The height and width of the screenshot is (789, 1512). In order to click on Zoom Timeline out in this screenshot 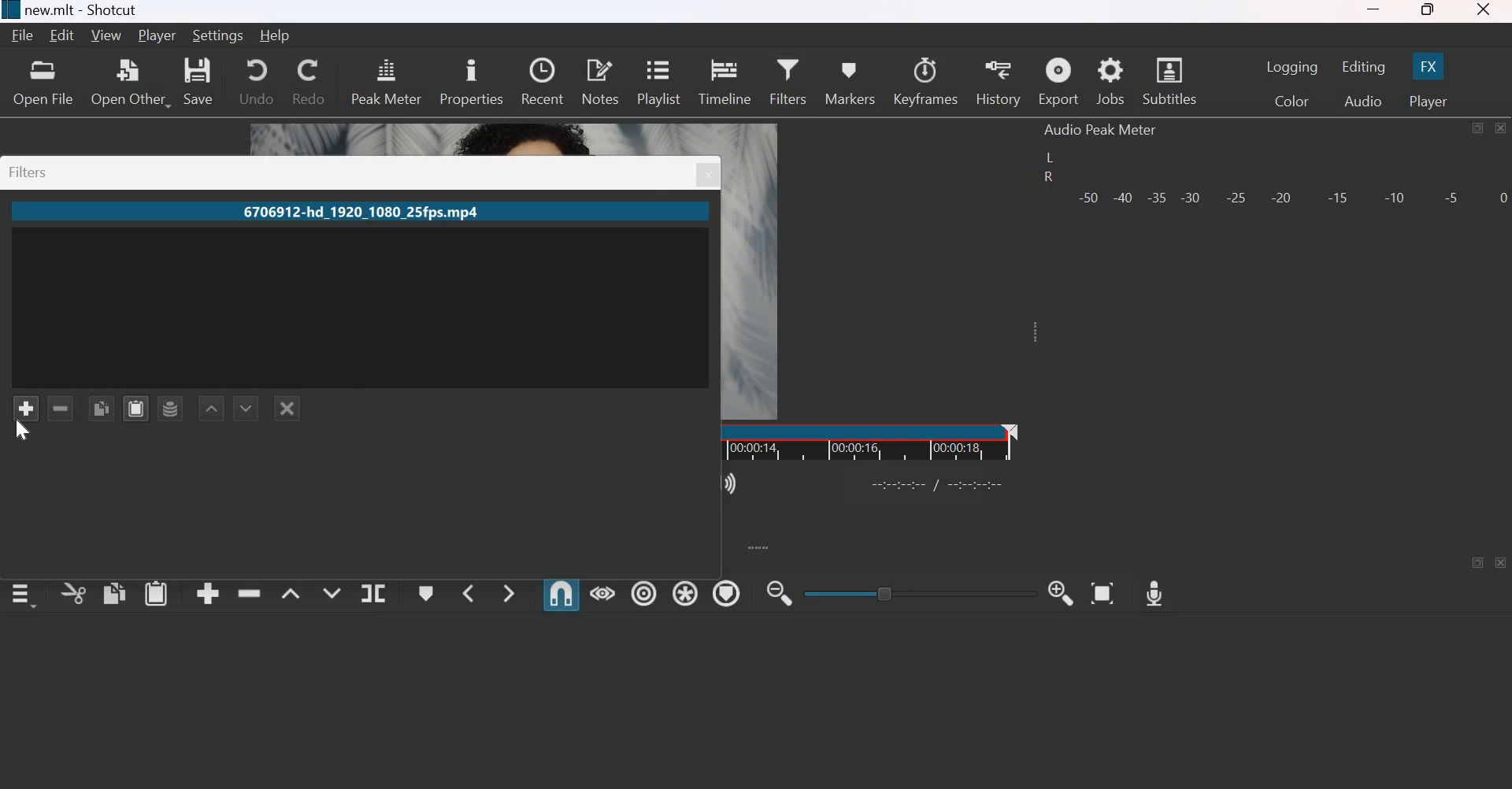, I will do `click(778, 595)`.